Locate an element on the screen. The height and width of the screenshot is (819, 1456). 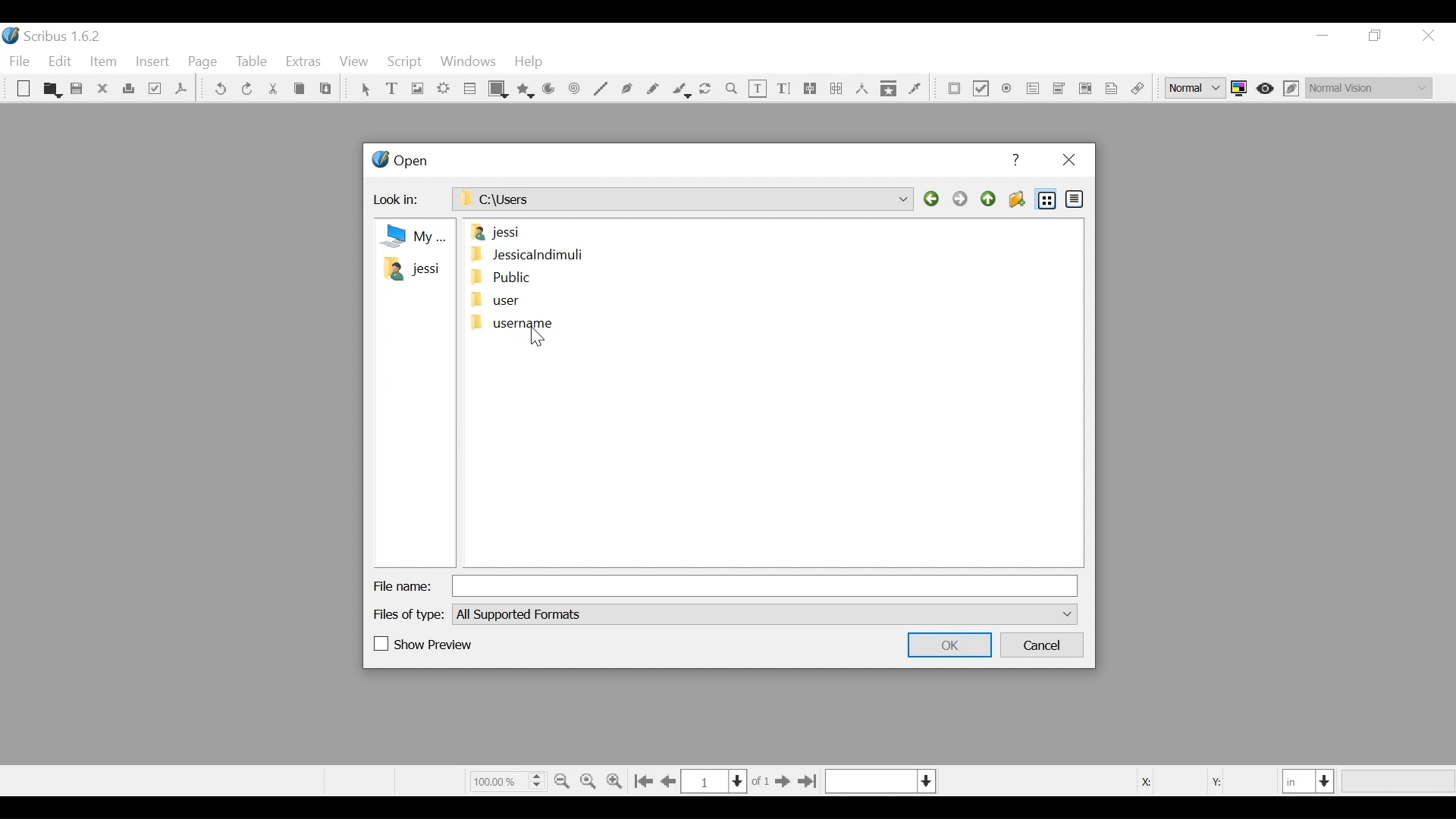
Go to the last page is located at coordinates (807, 782).